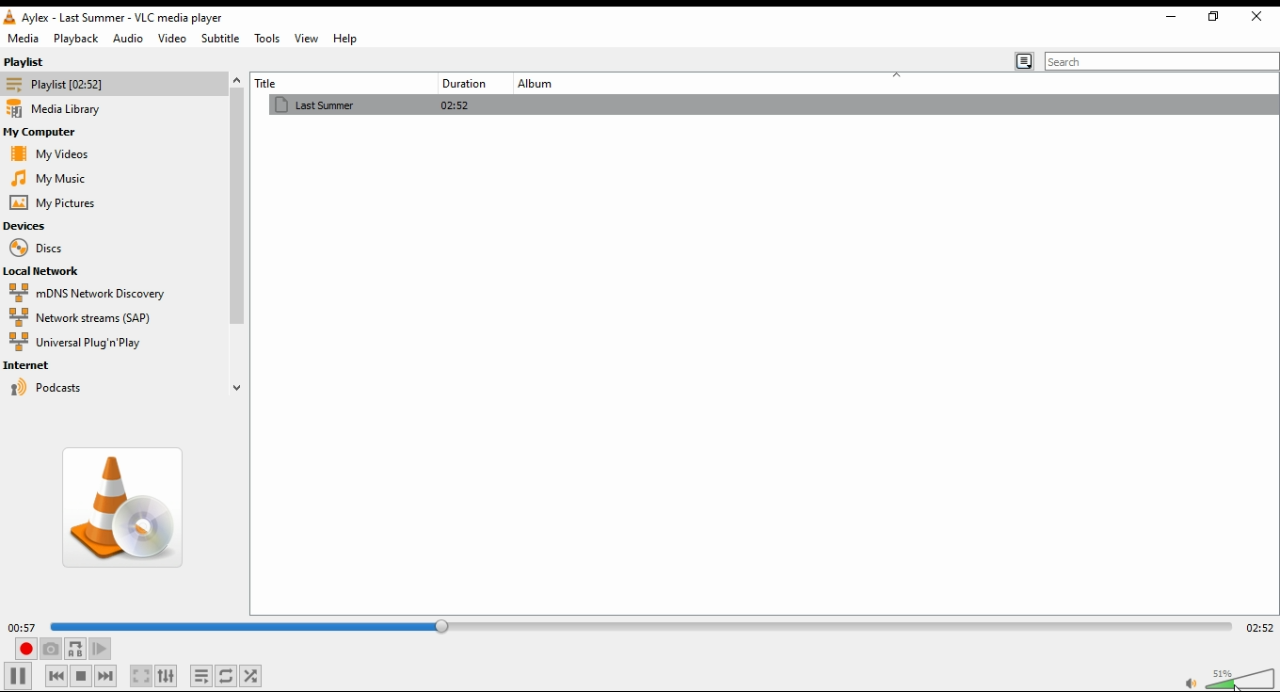 The height and width of the screenshot is (692, 1280). I want to click on devices, so click(28, 227).